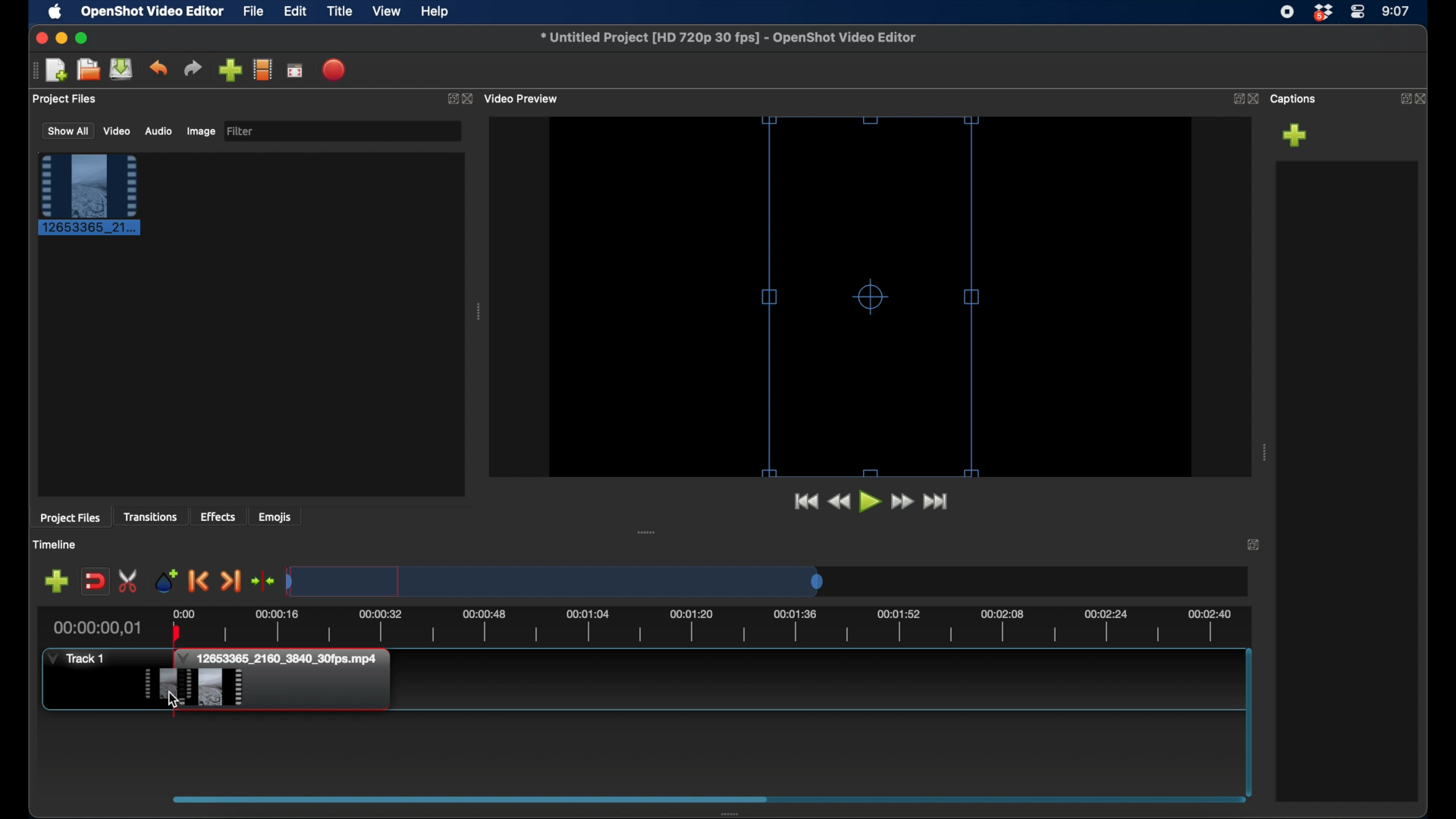 This screenshot has height=819, width=1456. Describe the element at coordinates (869, 295) in the screenshot. I see `resize handles` at that location.